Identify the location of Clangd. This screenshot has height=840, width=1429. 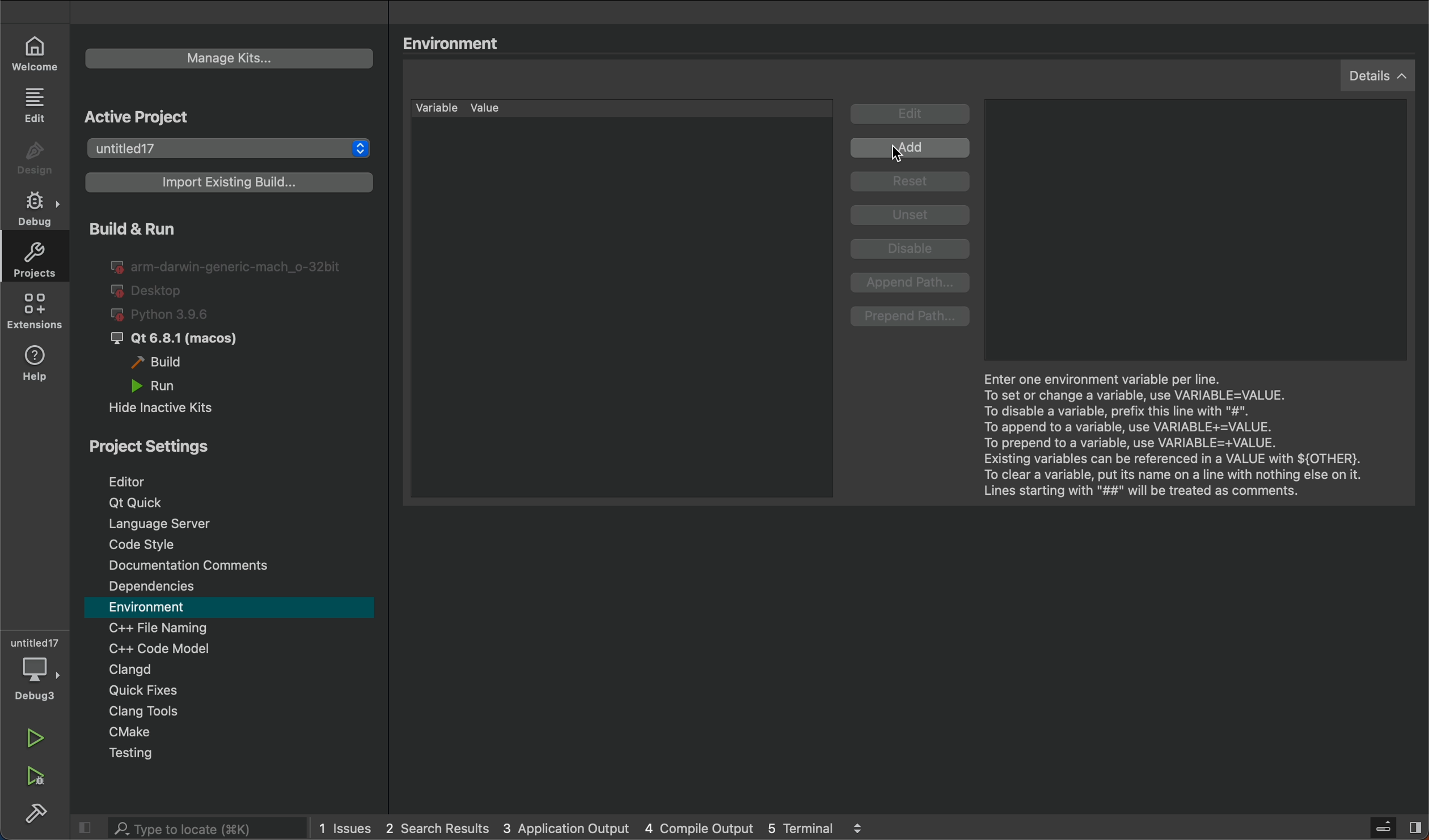
(226, 669).